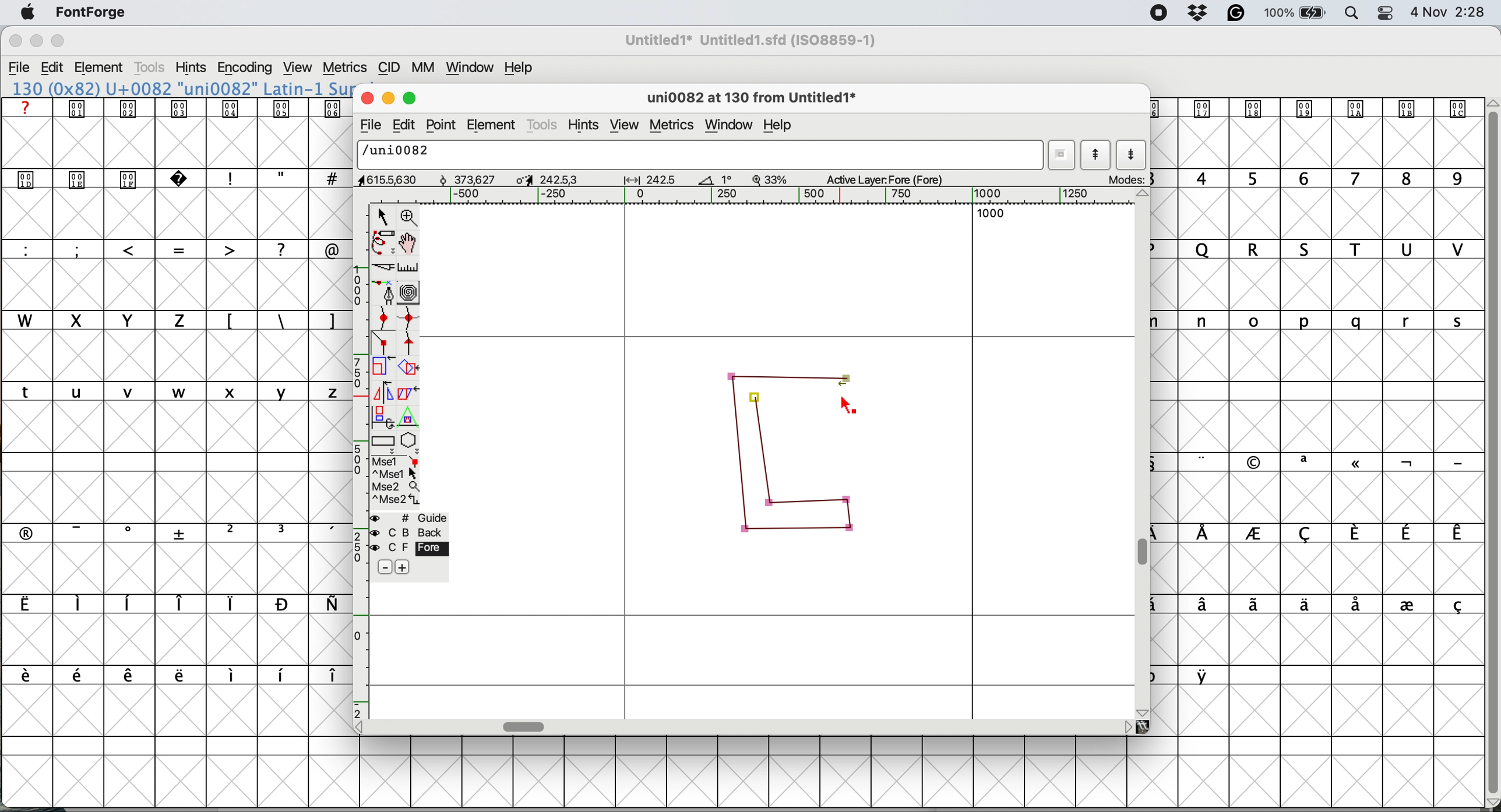 The height and width of the screenshot is (812, 1501). I want to click on control center, so click(1384, 13).